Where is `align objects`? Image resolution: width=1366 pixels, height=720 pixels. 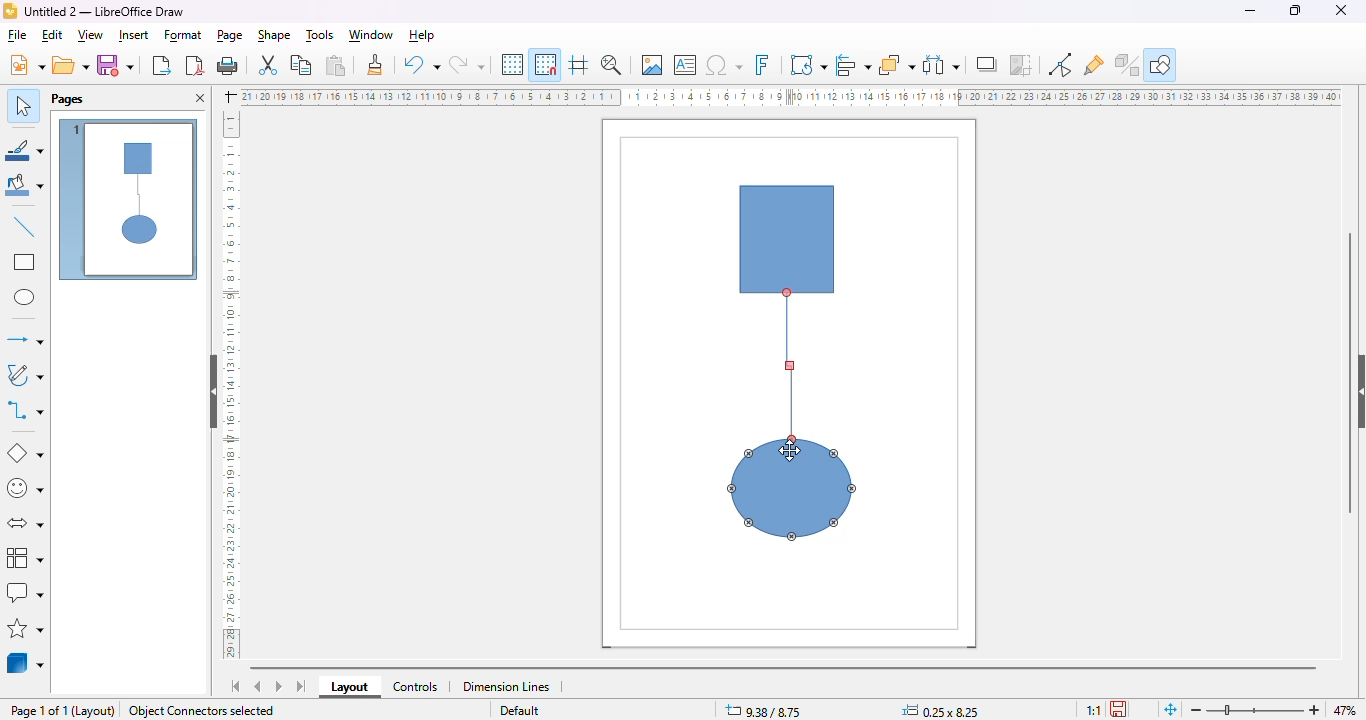
align objects is located at coordinates (855, 65).